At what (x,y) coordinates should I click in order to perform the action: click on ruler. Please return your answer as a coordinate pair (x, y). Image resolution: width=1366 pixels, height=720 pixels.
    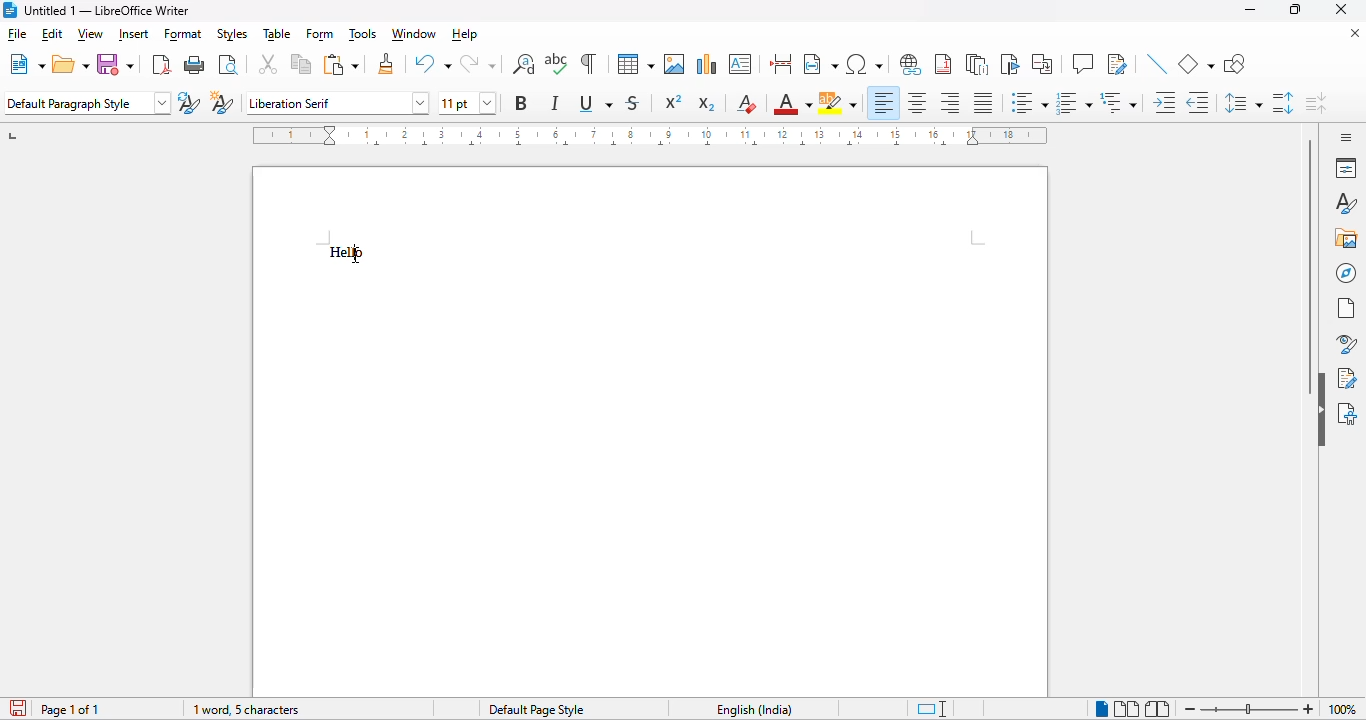
    Looking at the image, I should click on (650, 134).